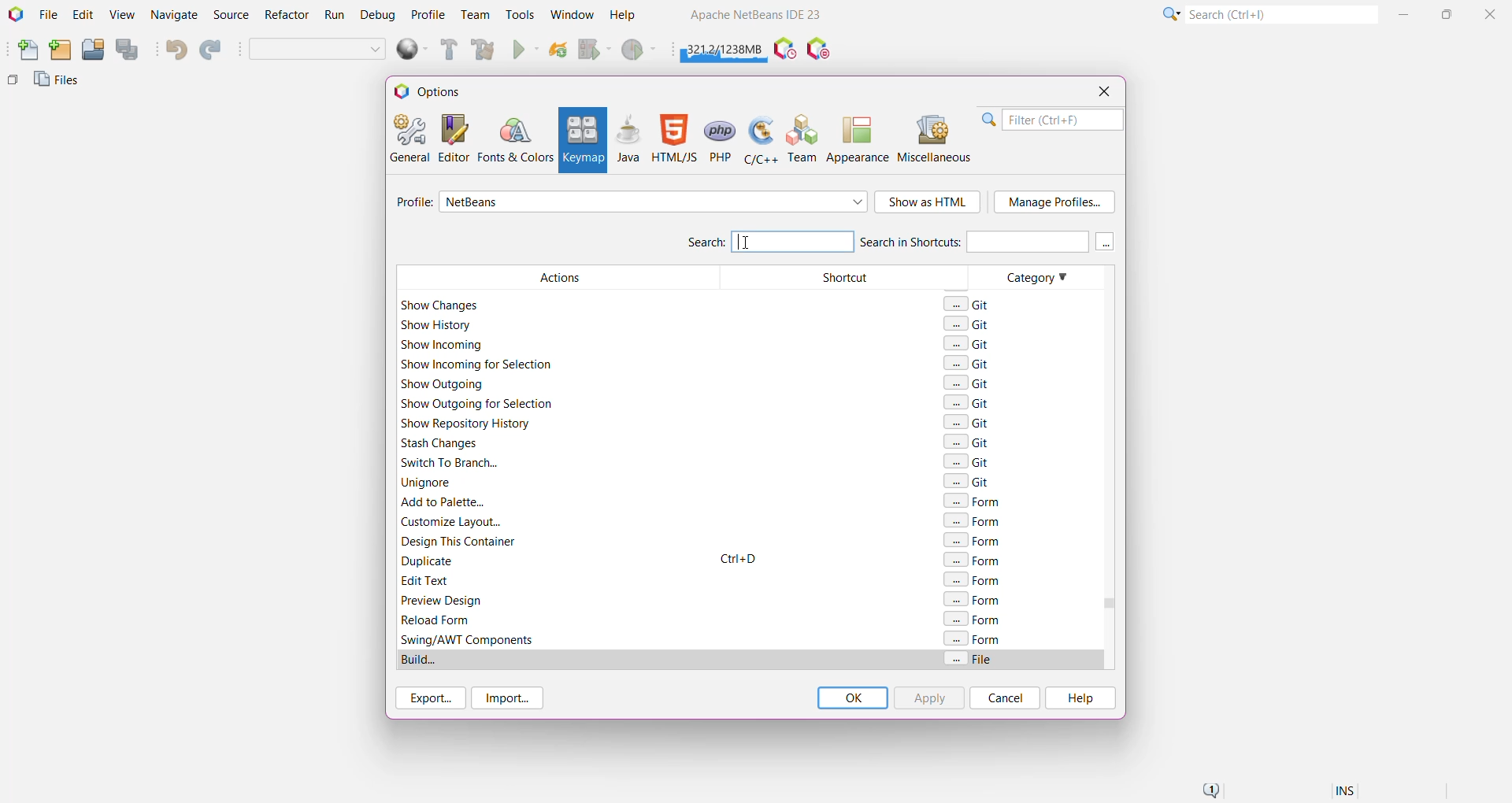  I want to click on cursor, so click(747, 242).